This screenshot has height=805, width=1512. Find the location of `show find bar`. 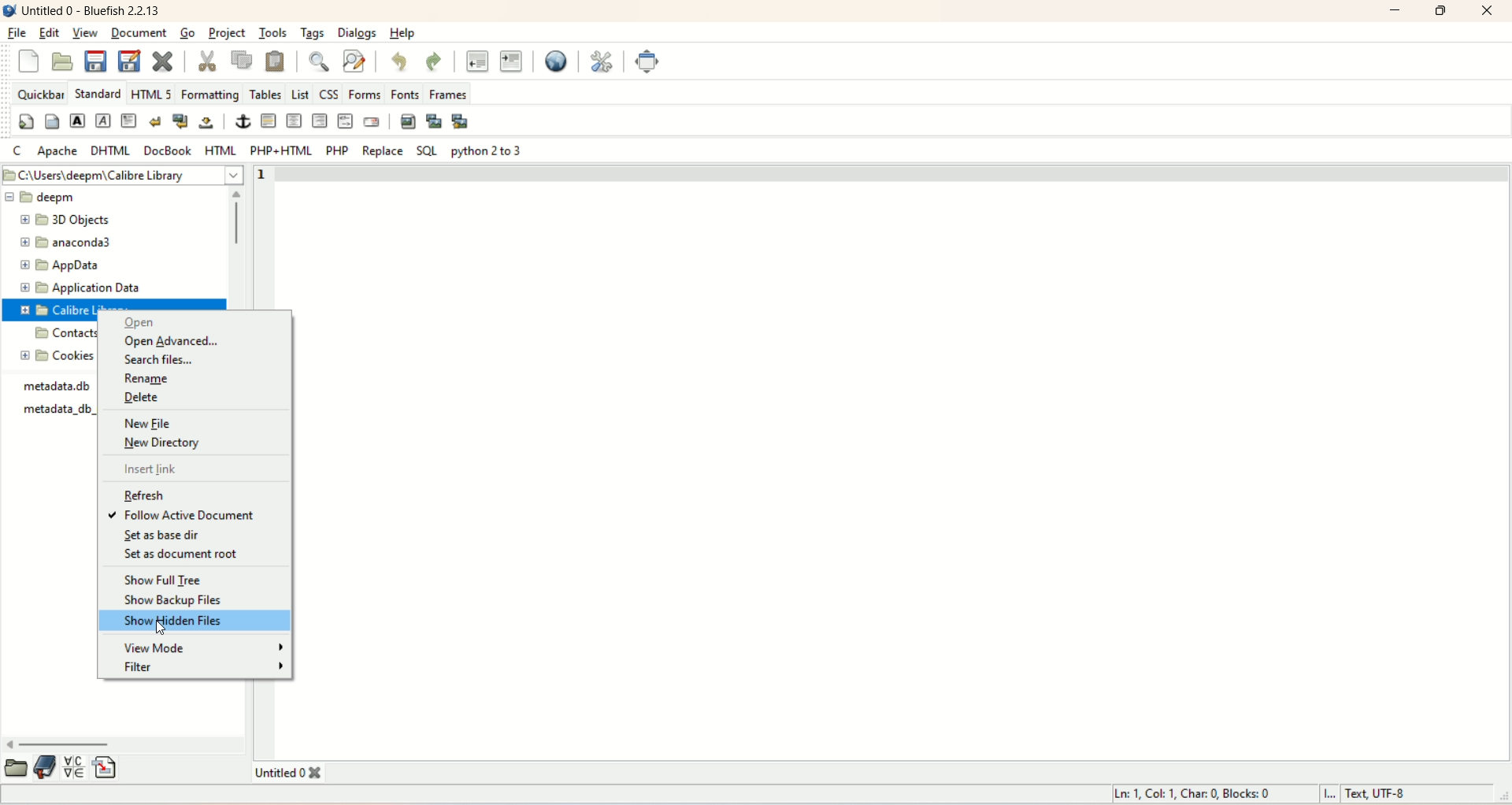

show find bar is located at coordinates (322, 63).